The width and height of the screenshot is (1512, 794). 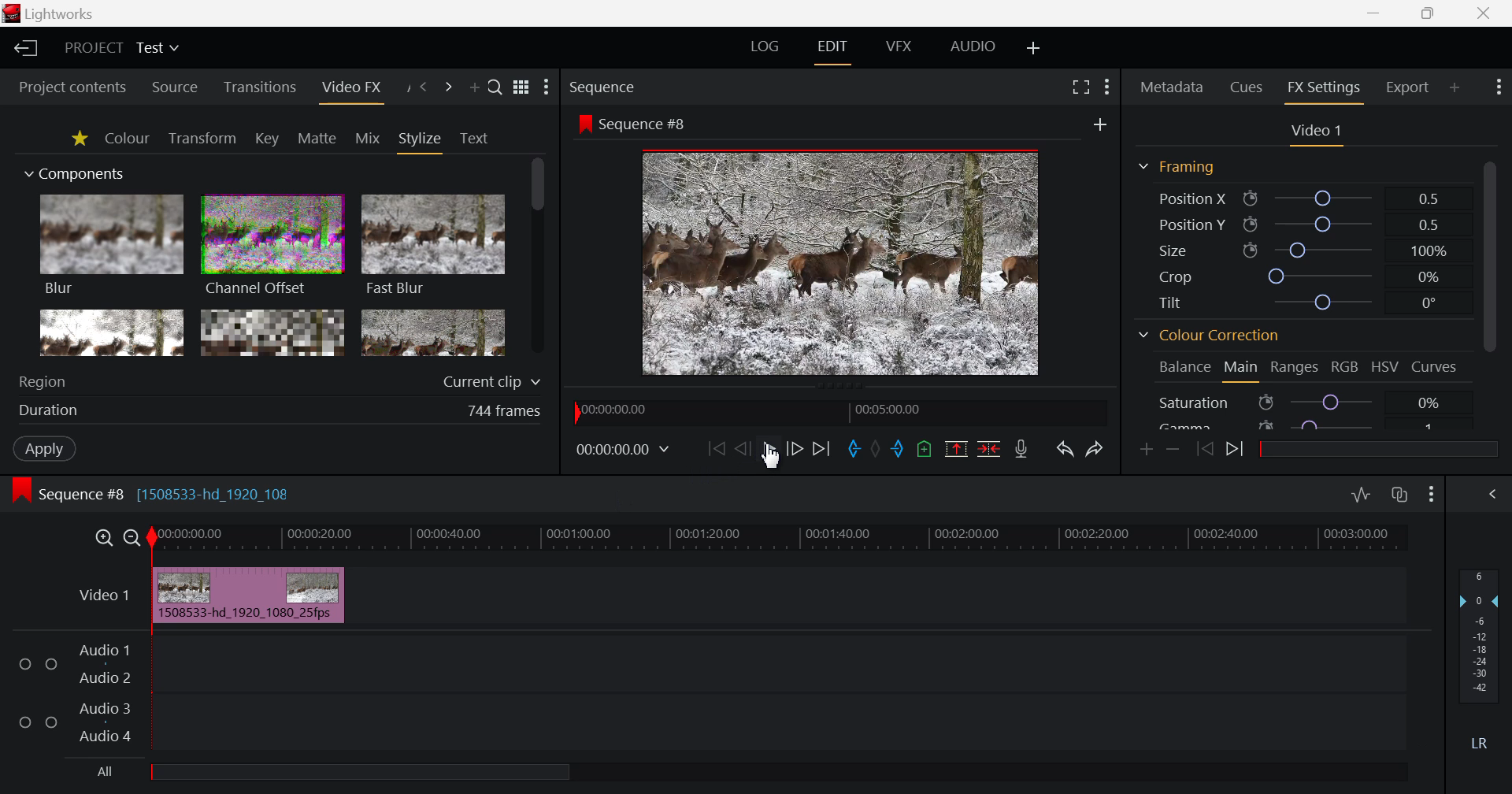 What do you see at coordinates (1247, 88) in the screenshot?
I see `Cues` at bounding box center [1247, 88].